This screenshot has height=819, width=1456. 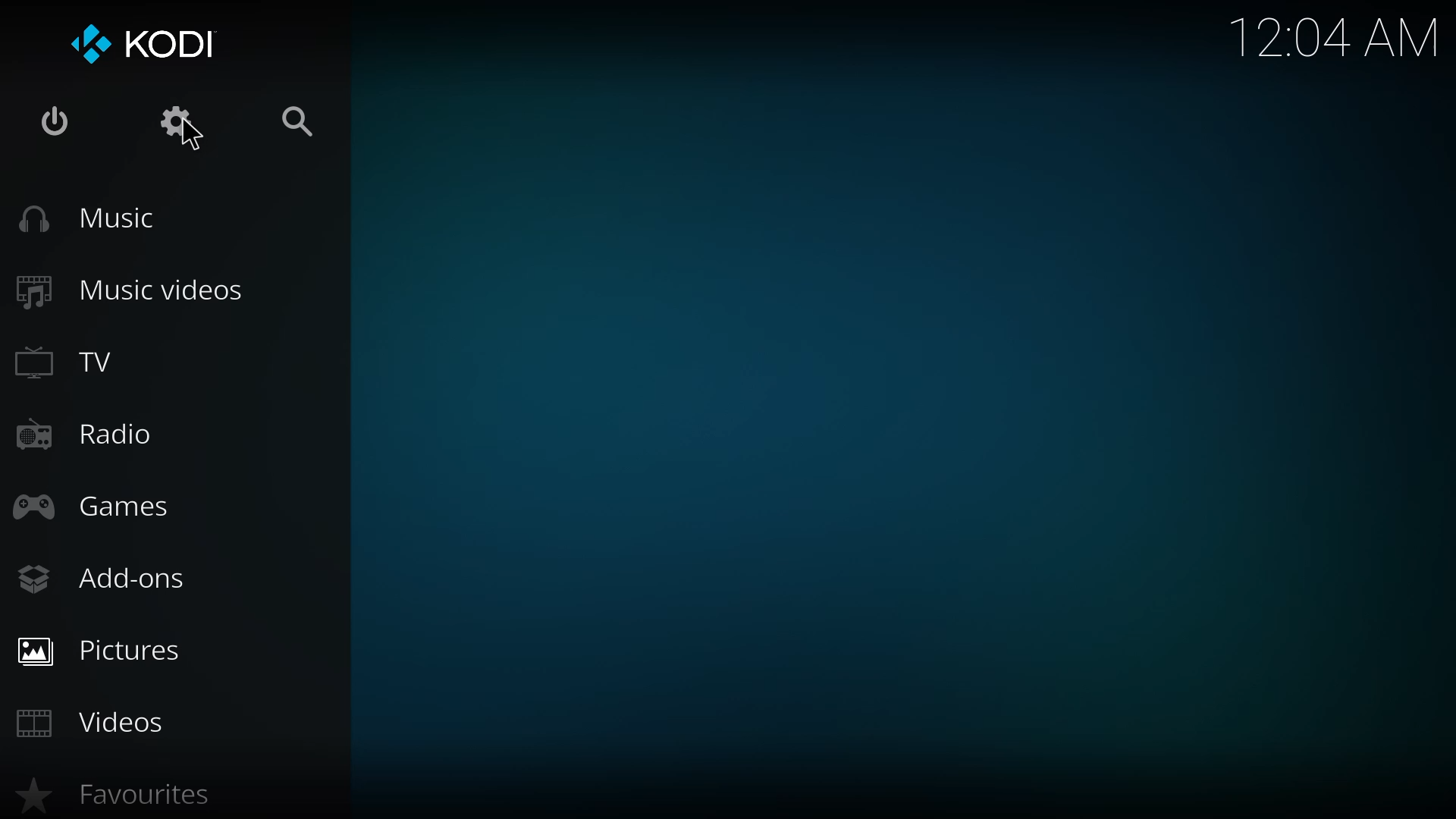 I want to click on cursor, so click(x=193, y=136).